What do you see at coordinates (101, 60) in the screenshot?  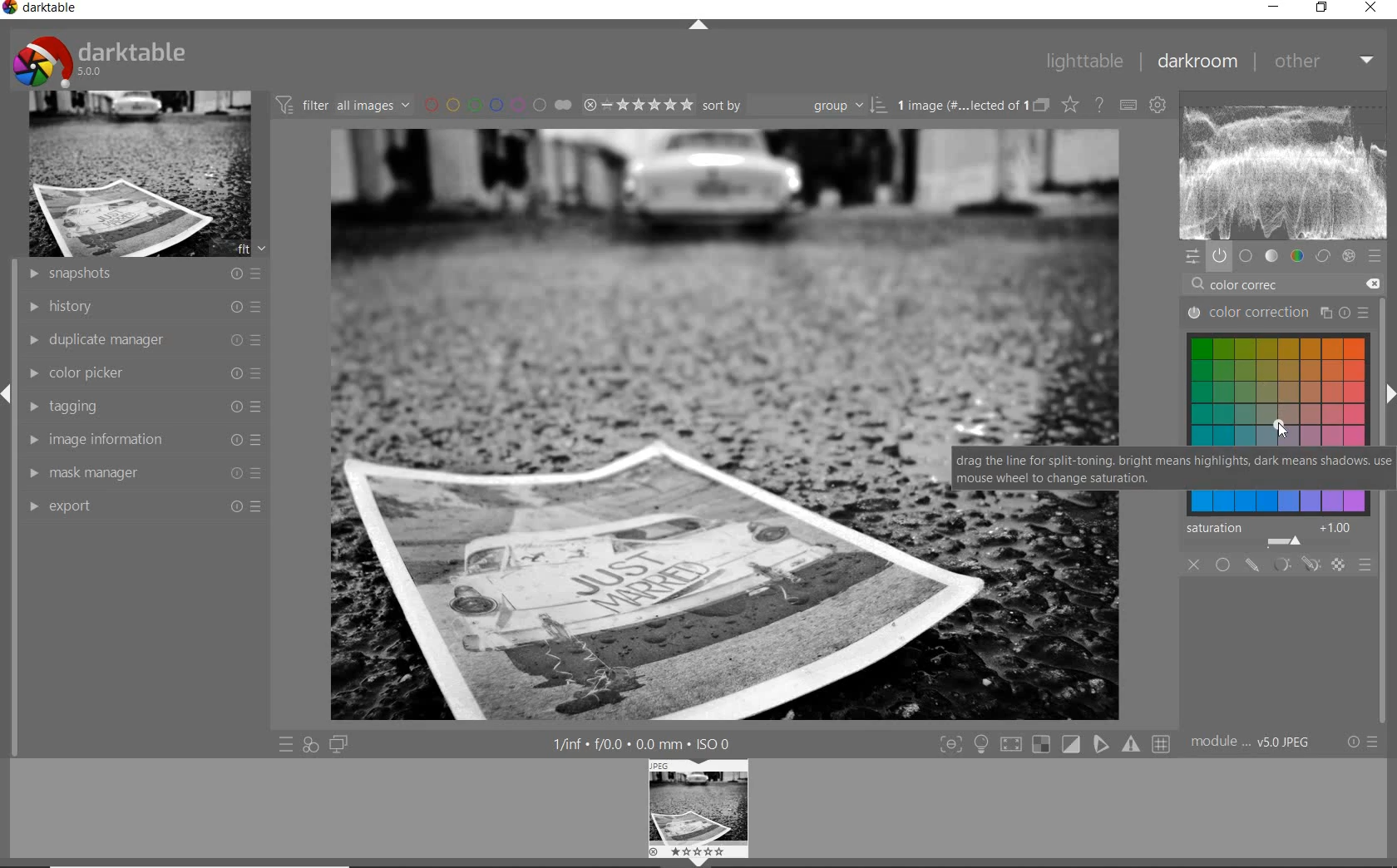 I see `darktable` at bounding box center [101, 60].